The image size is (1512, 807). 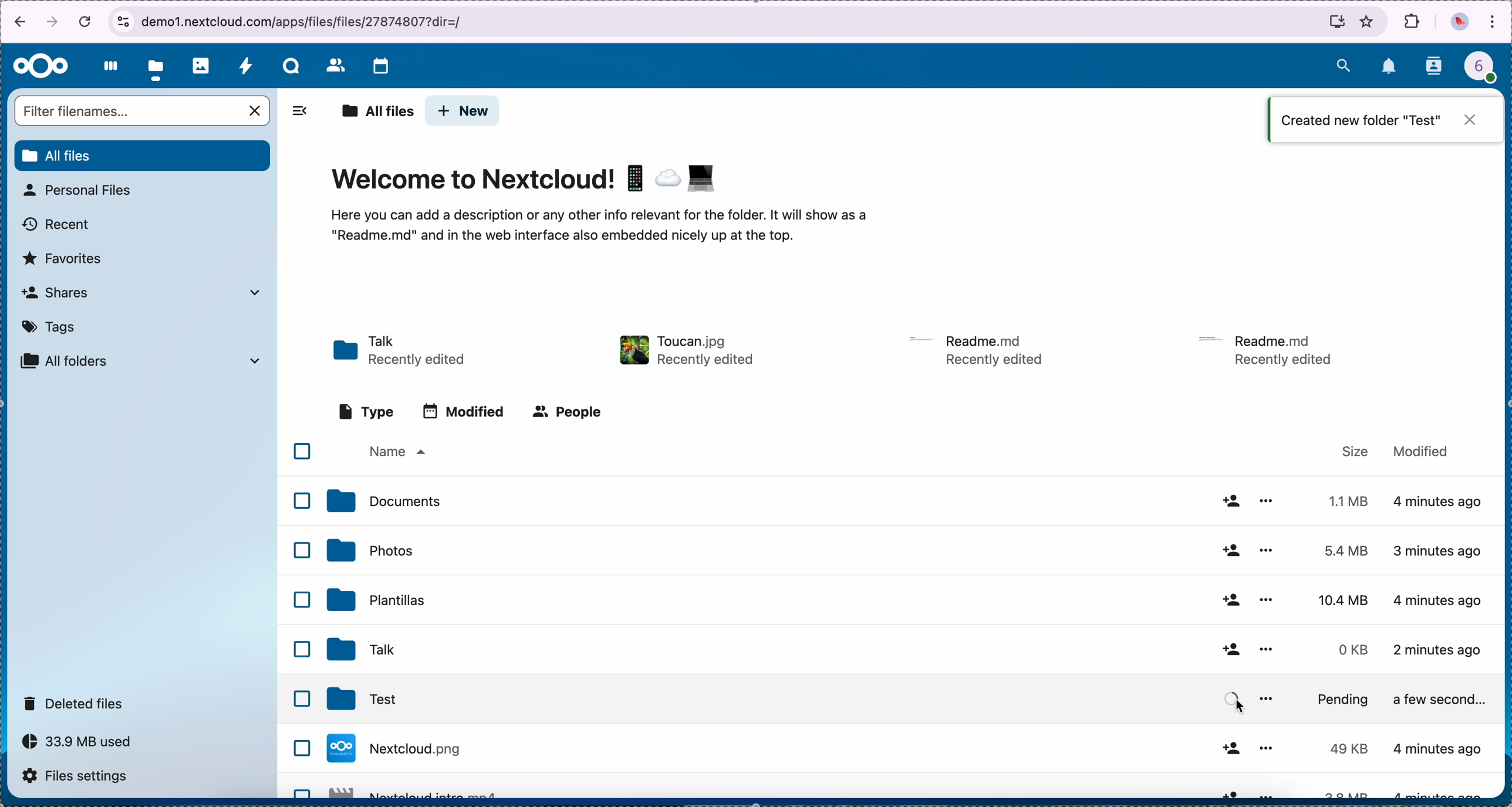 I want to click on photos, so click(x=369, y=550).